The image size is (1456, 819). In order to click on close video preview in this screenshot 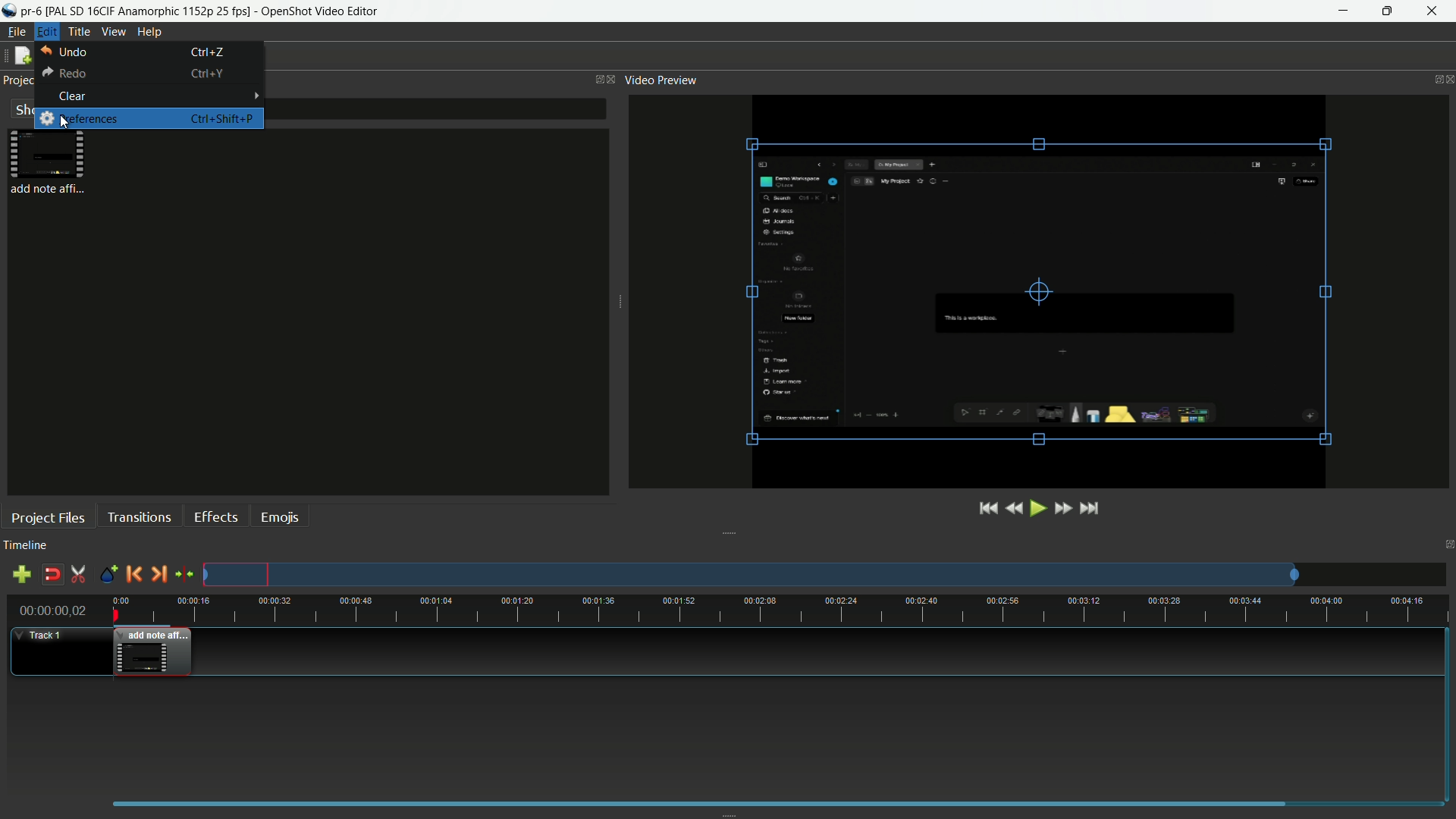, I will do `click(1450, 80)`.